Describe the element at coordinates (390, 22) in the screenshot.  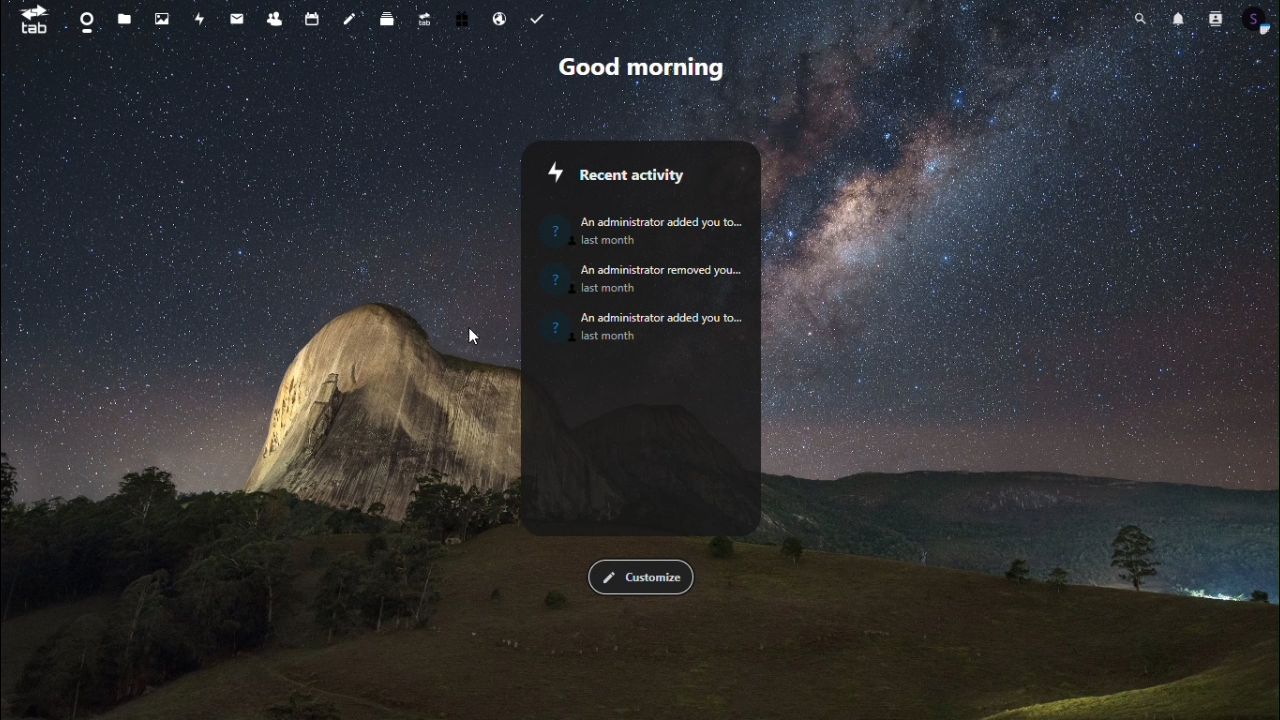
I see `deck` at that location.